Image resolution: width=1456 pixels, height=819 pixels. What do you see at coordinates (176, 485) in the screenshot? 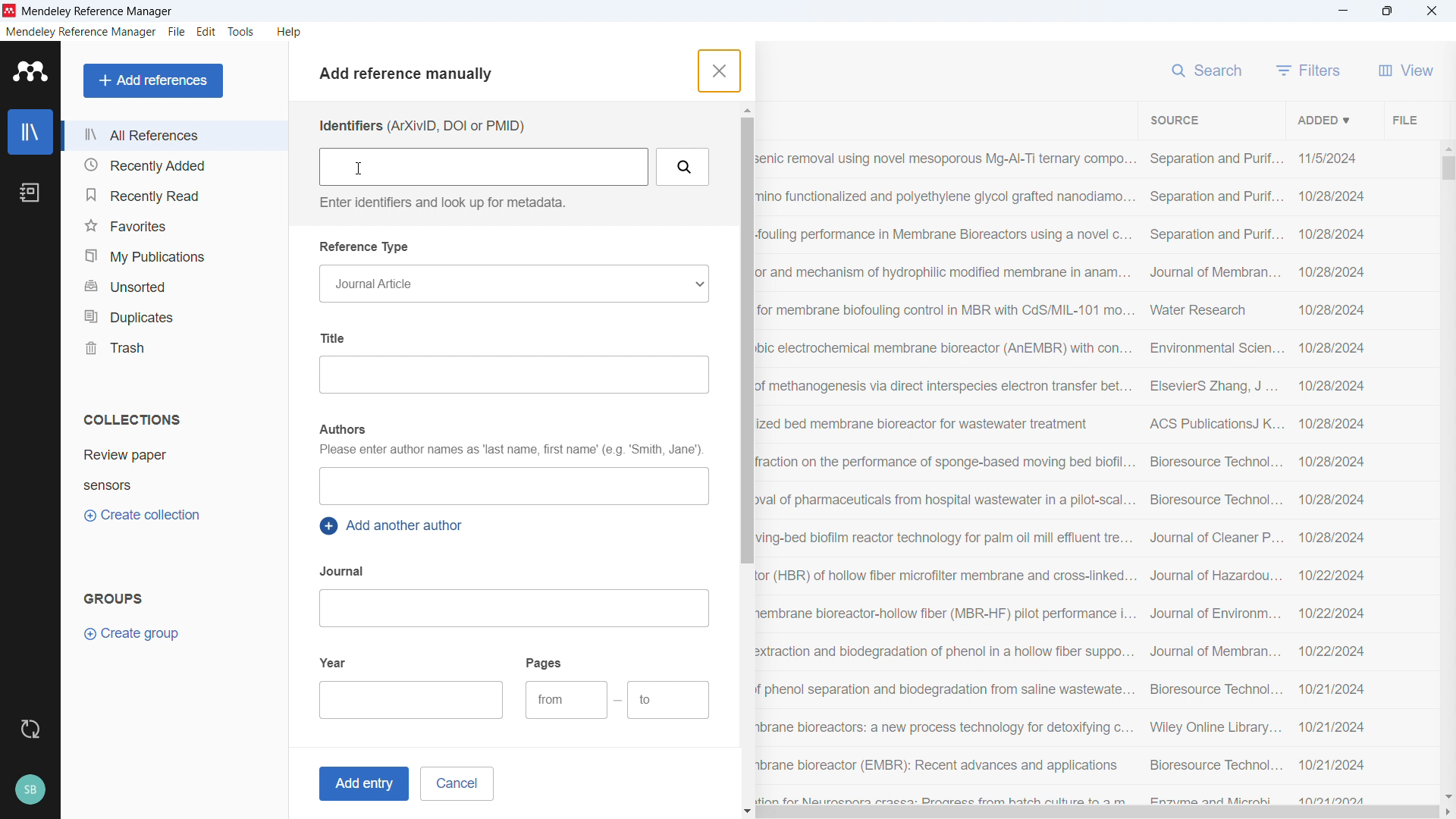
I see `Collection 2 ` at bounding box center [176, 485].